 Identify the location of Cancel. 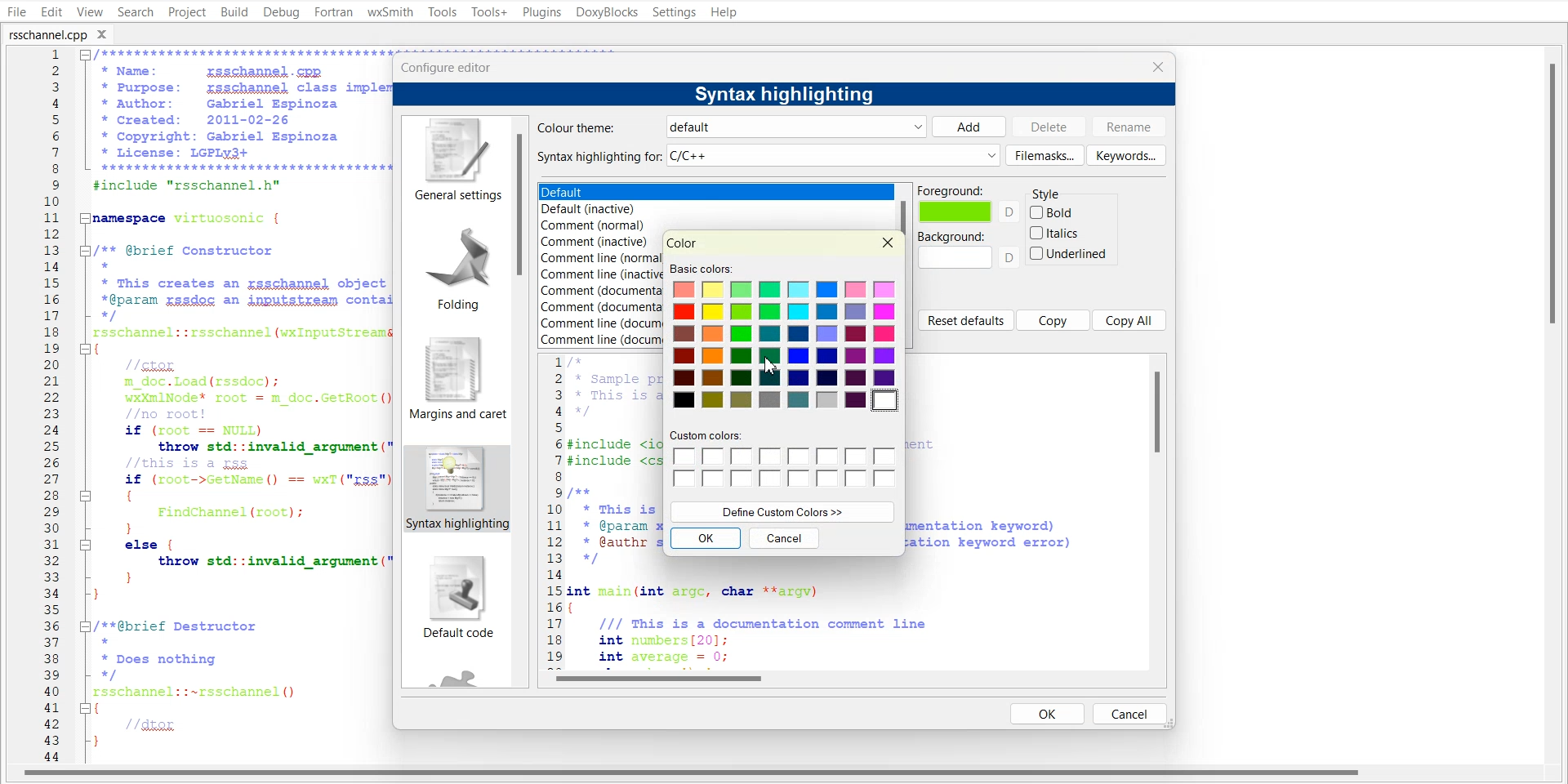
(1129, 713).